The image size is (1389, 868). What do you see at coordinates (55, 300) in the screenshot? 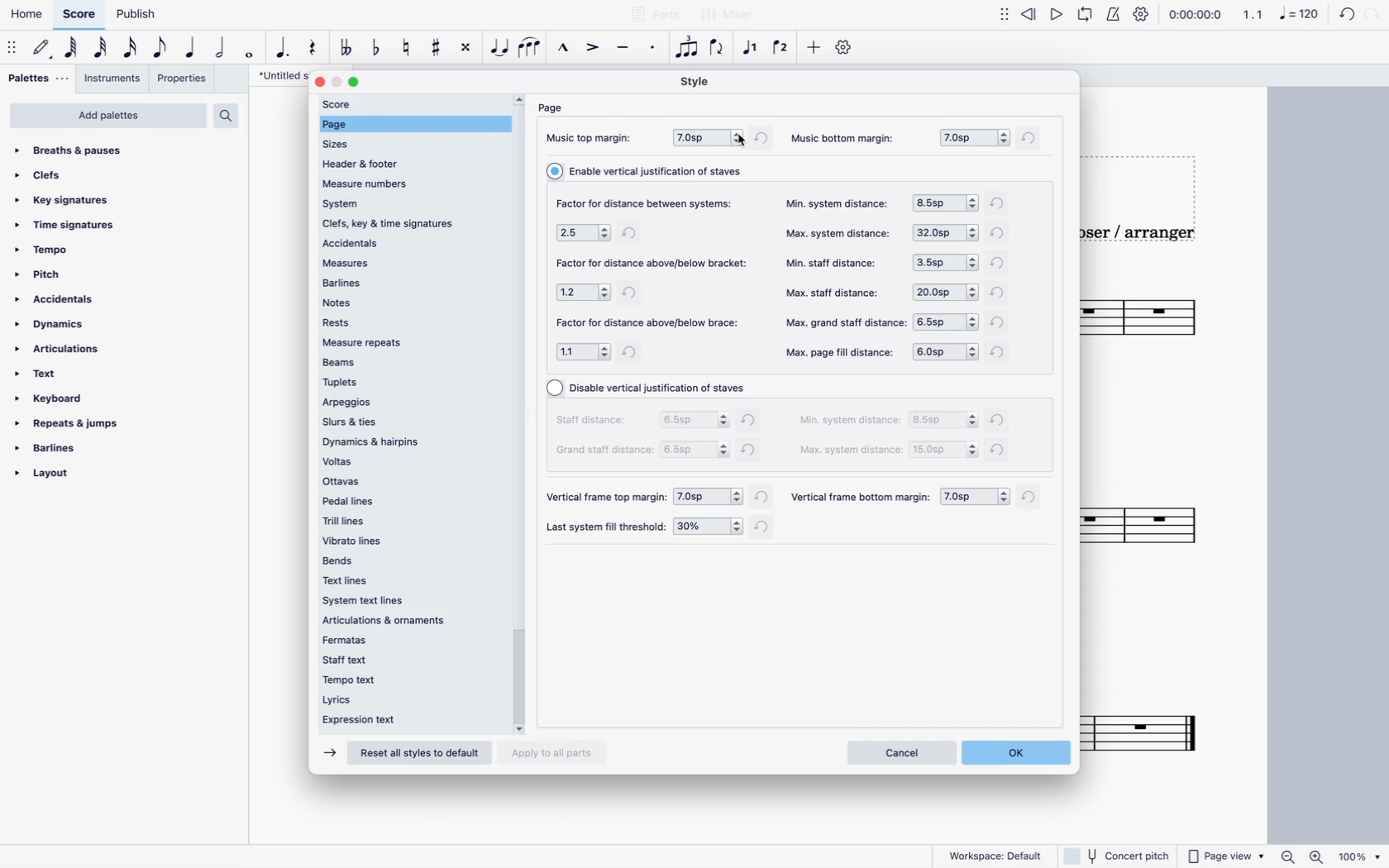
I see `accidentals` at bounding box center [55, 300].